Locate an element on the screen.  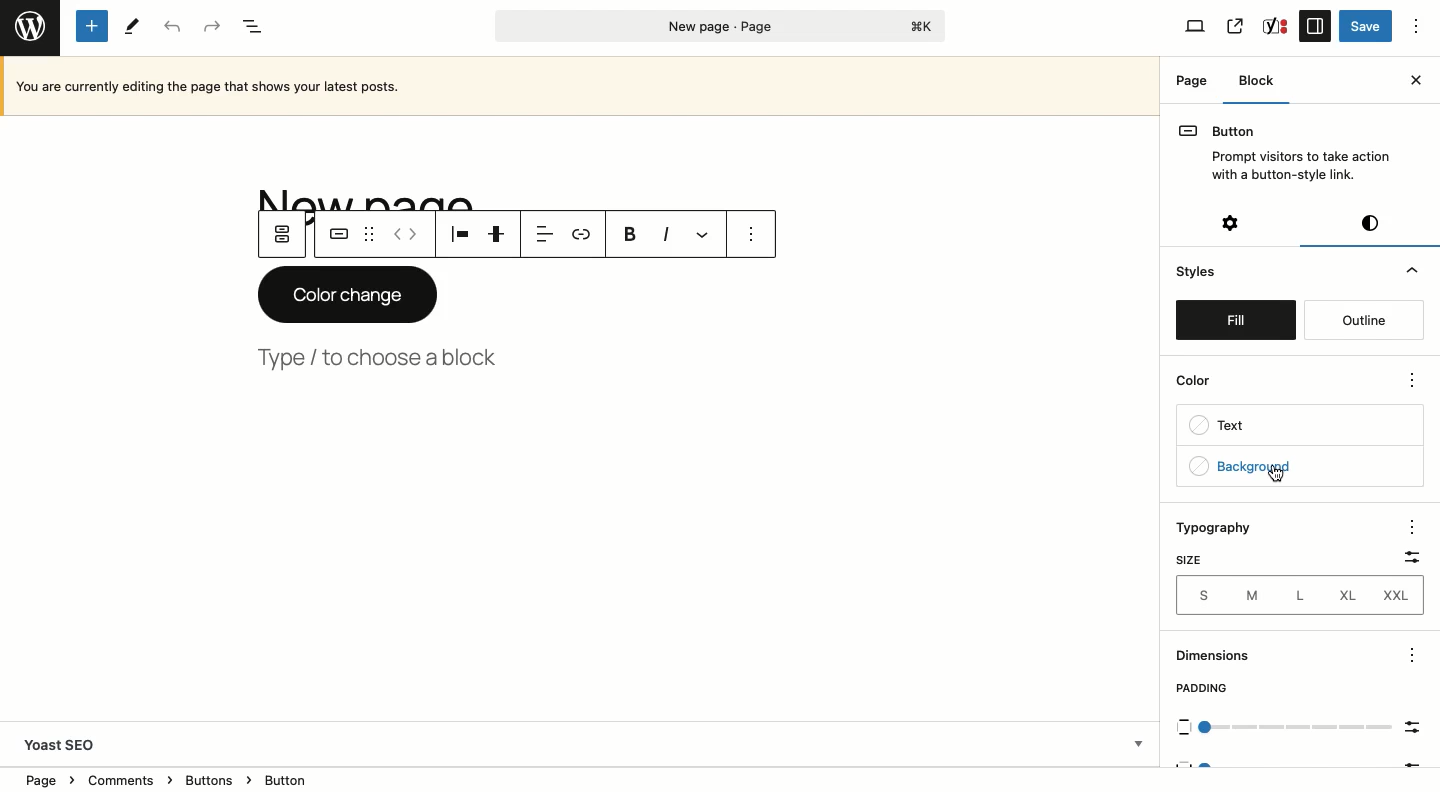
Document overview is located at coordinates (256, 28).